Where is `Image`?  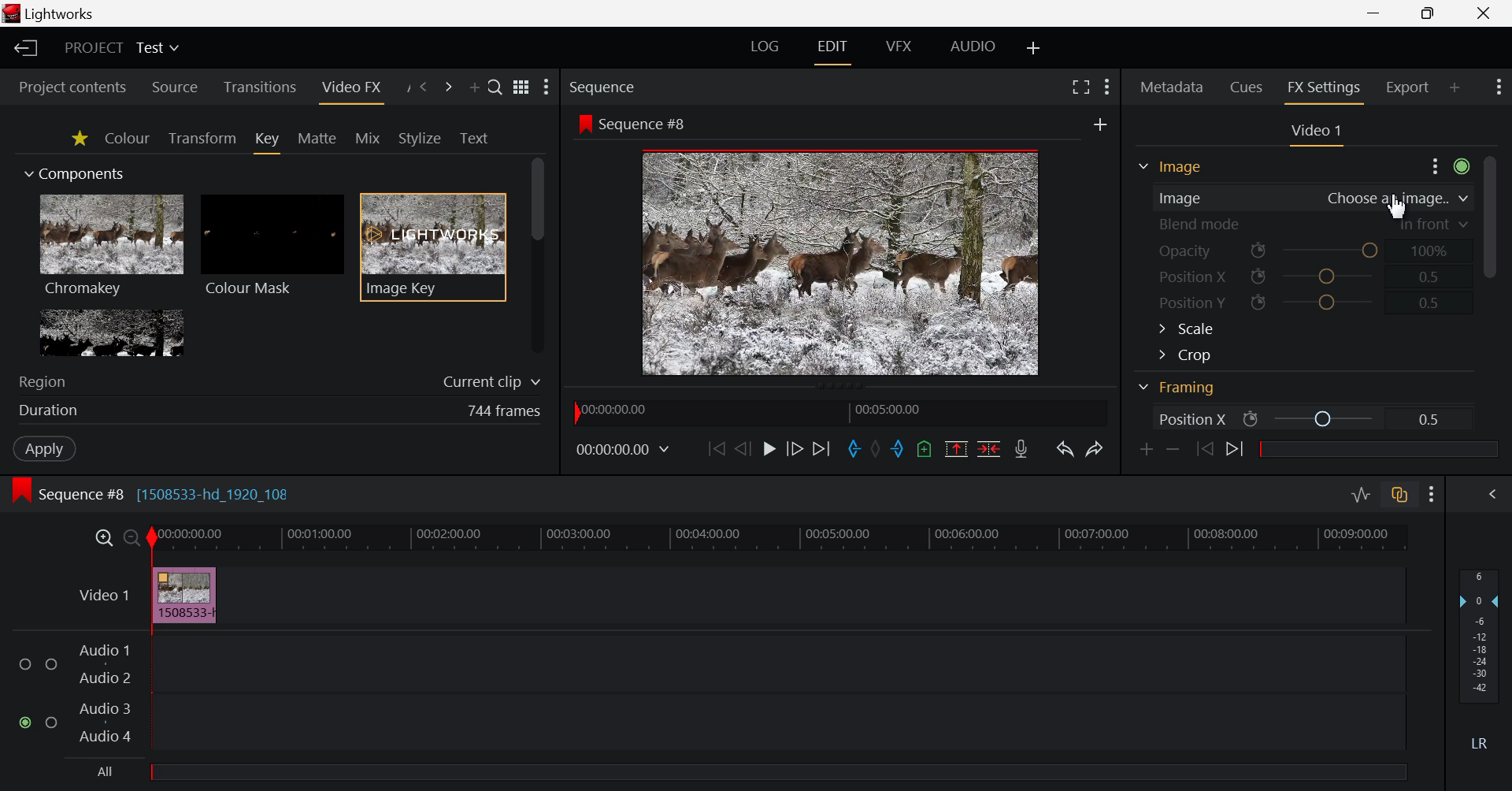
Image is located at coordinates (1185, 198).